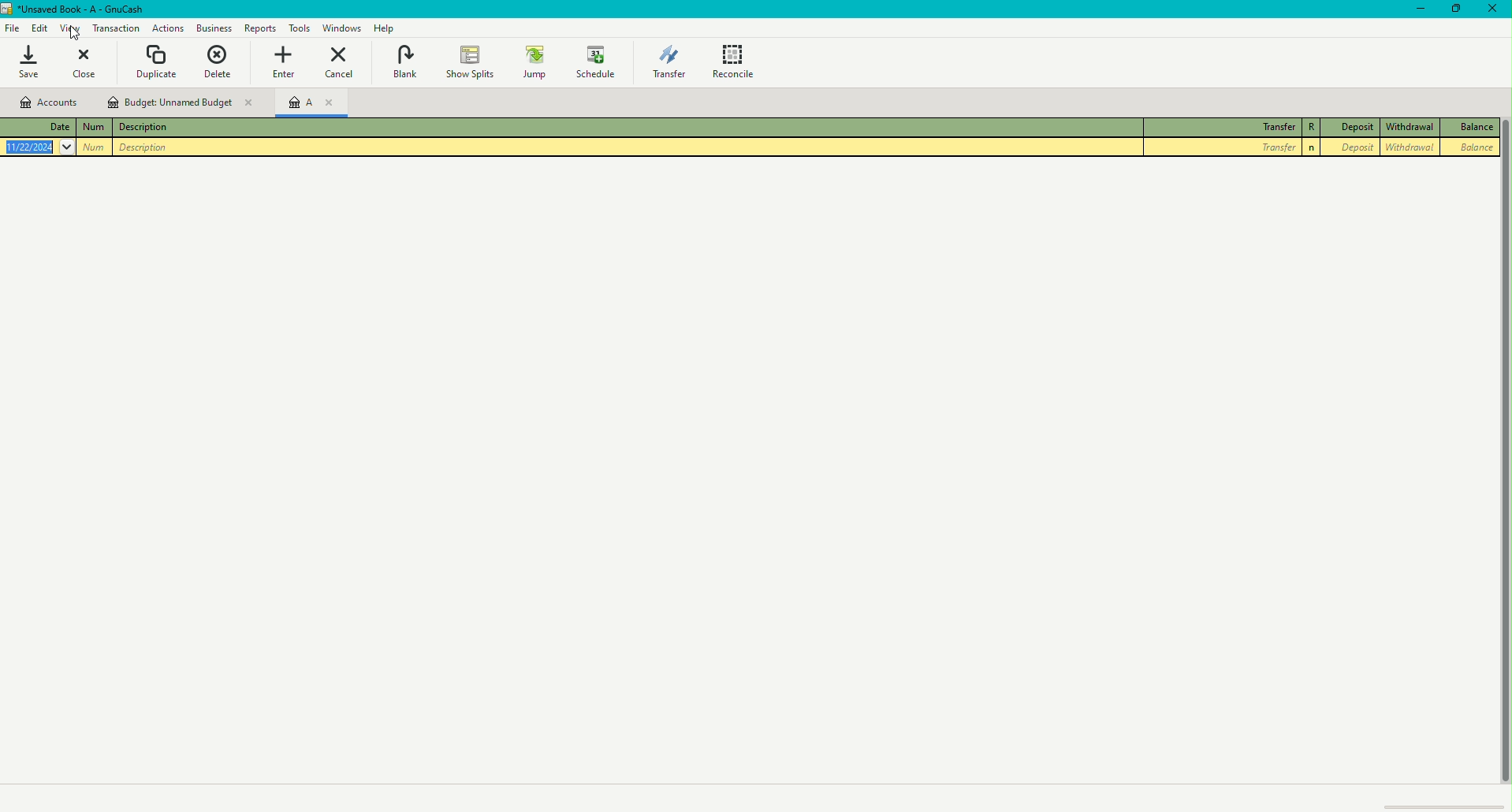  I want to click on A, so click(318, 102).